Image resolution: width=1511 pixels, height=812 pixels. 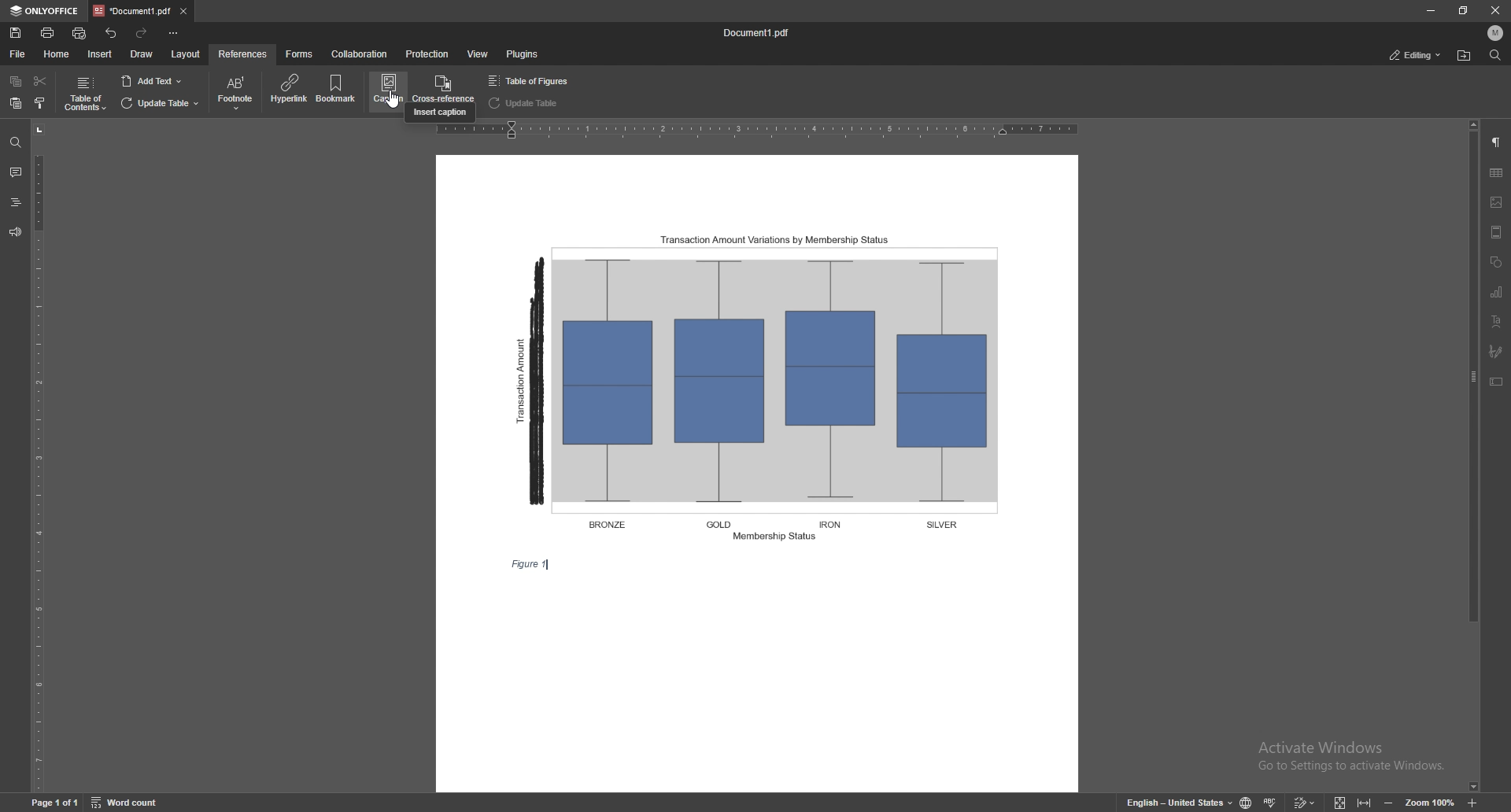 I want to click on save, so click(x=17, y=33).